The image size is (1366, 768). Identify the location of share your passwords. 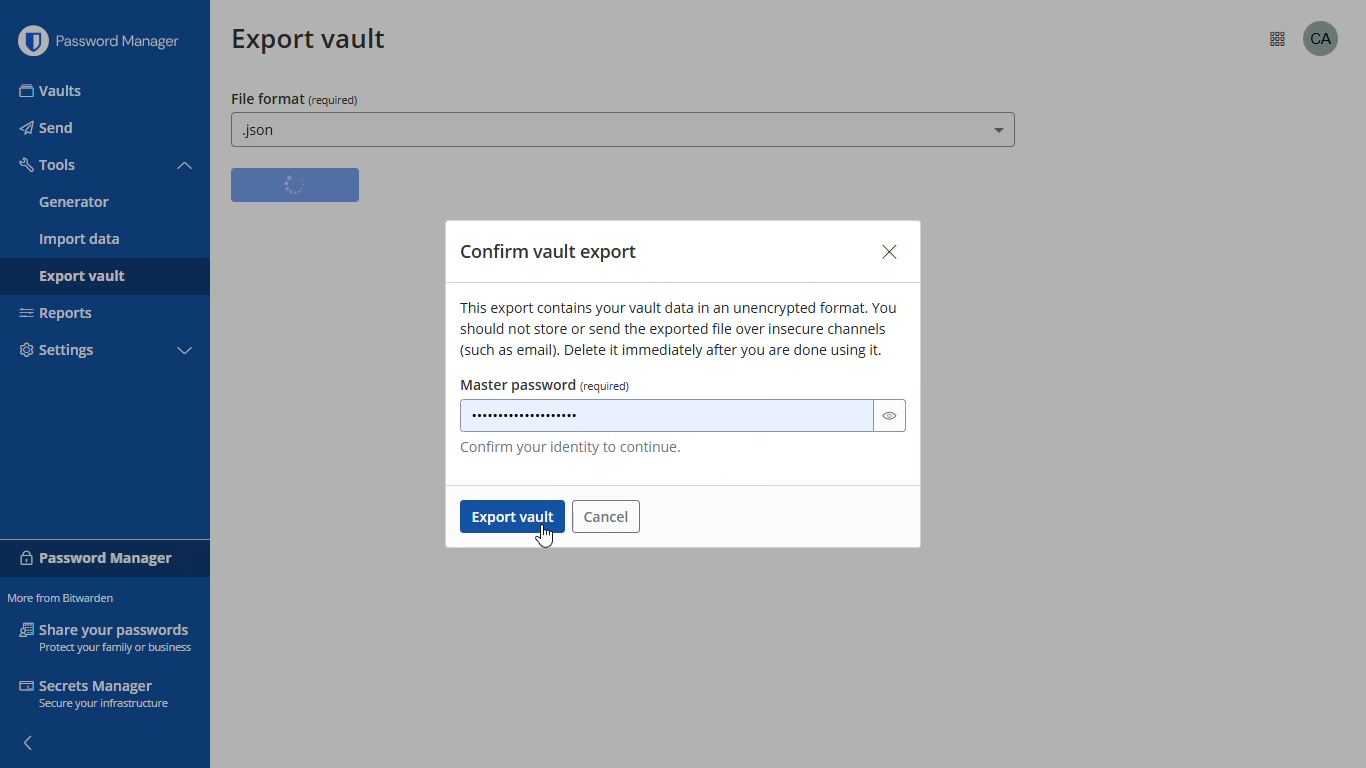
(105, 636).